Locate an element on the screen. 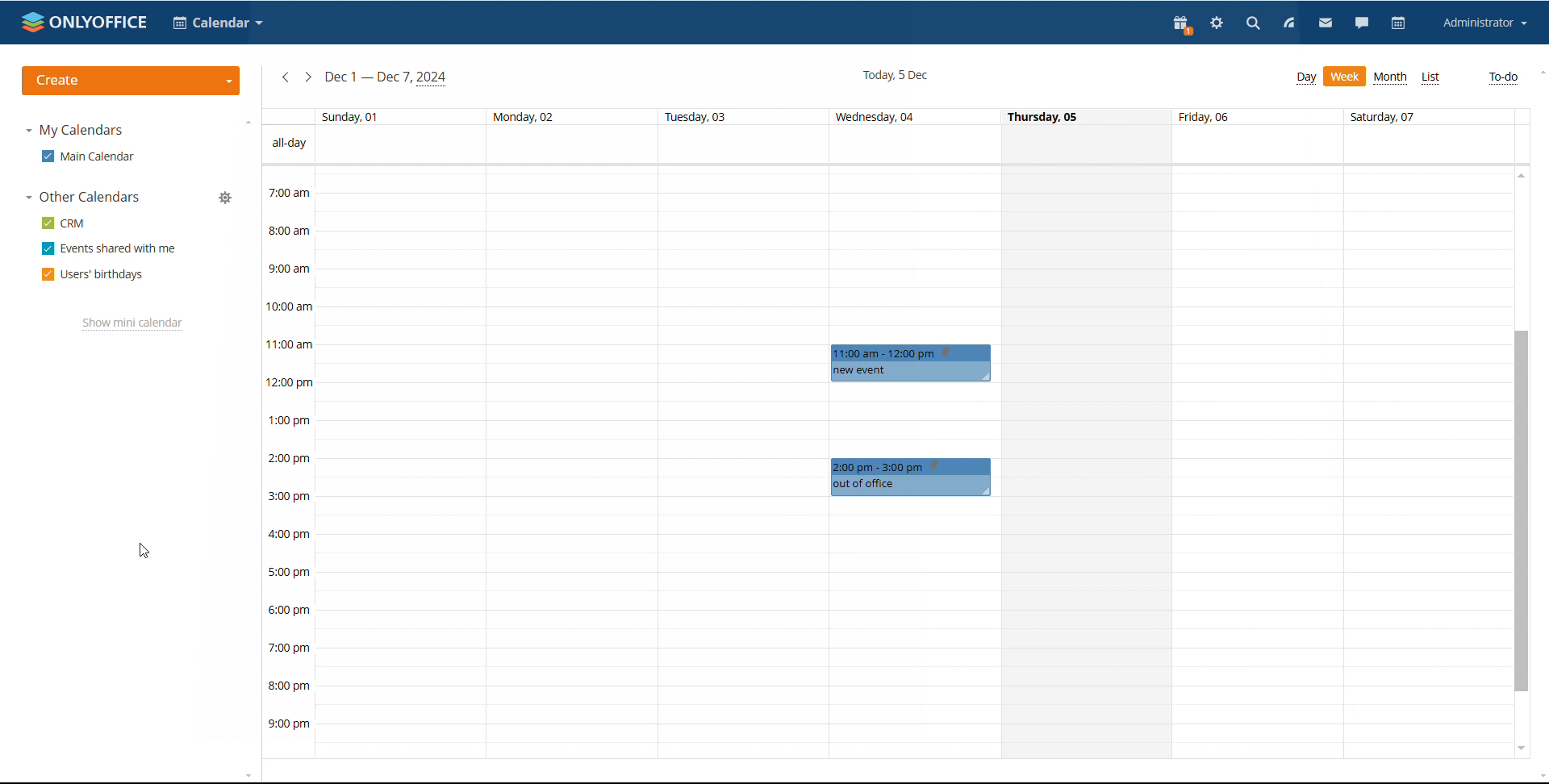 This screenshot has width=1549, height=784. month view is located at coordinates (1392, 77).